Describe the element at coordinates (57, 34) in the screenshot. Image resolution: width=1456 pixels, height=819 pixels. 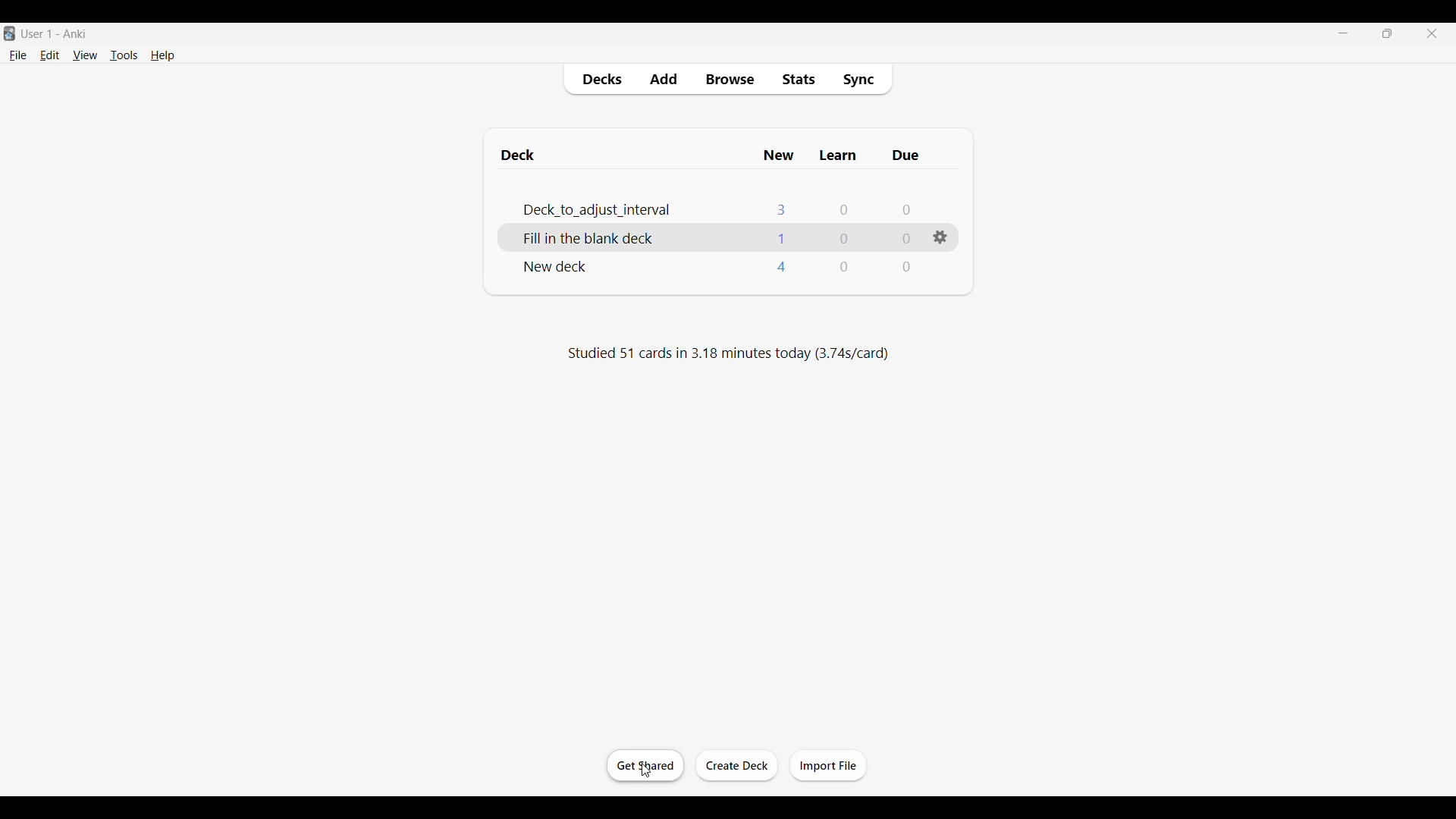
I see `User 1 - Anki` at that location.